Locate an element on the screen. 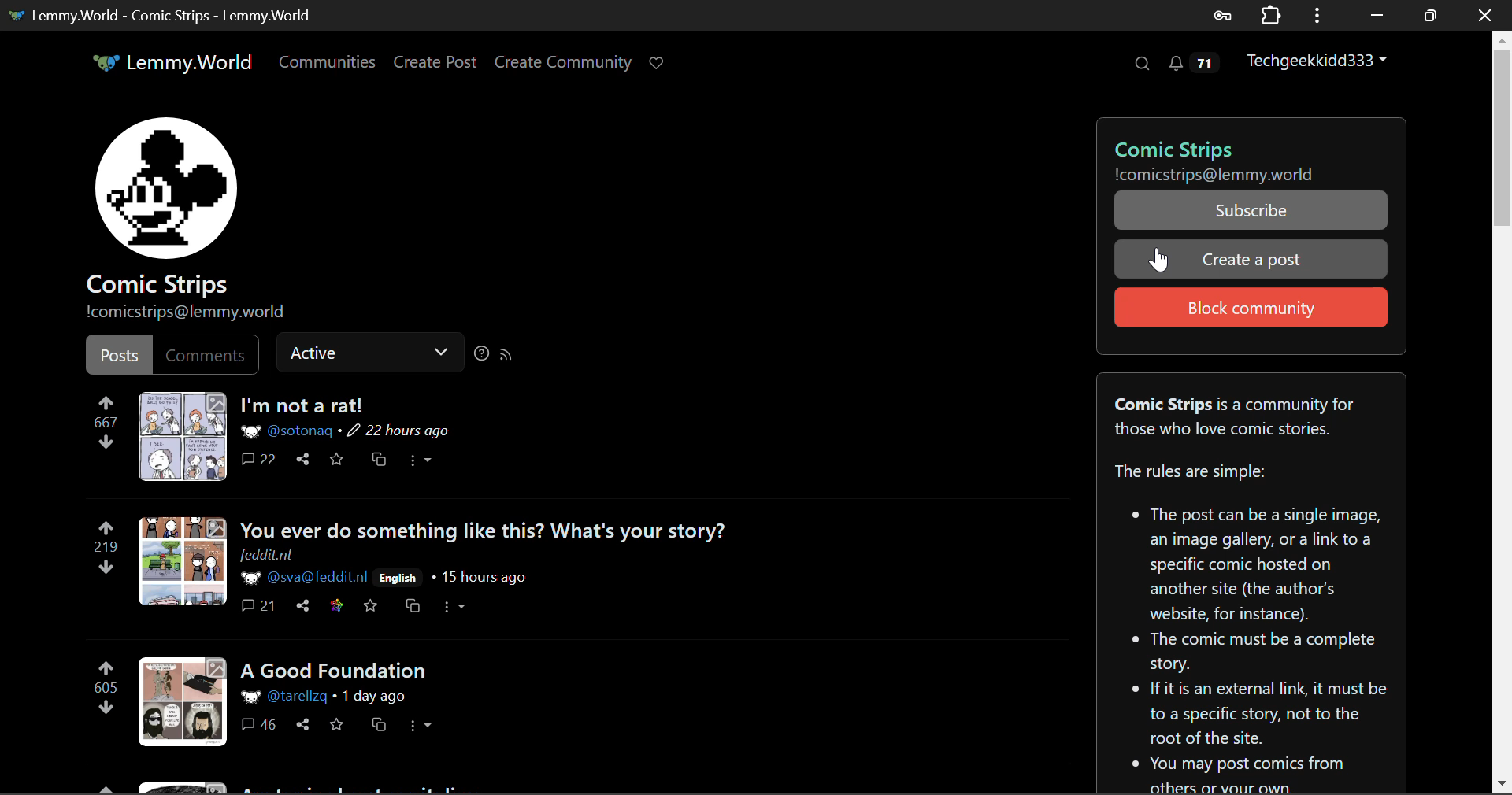 This screenshot has height=795, width=1512. !comicstrips@lemmy.world is located at coordinates (1248, 176).